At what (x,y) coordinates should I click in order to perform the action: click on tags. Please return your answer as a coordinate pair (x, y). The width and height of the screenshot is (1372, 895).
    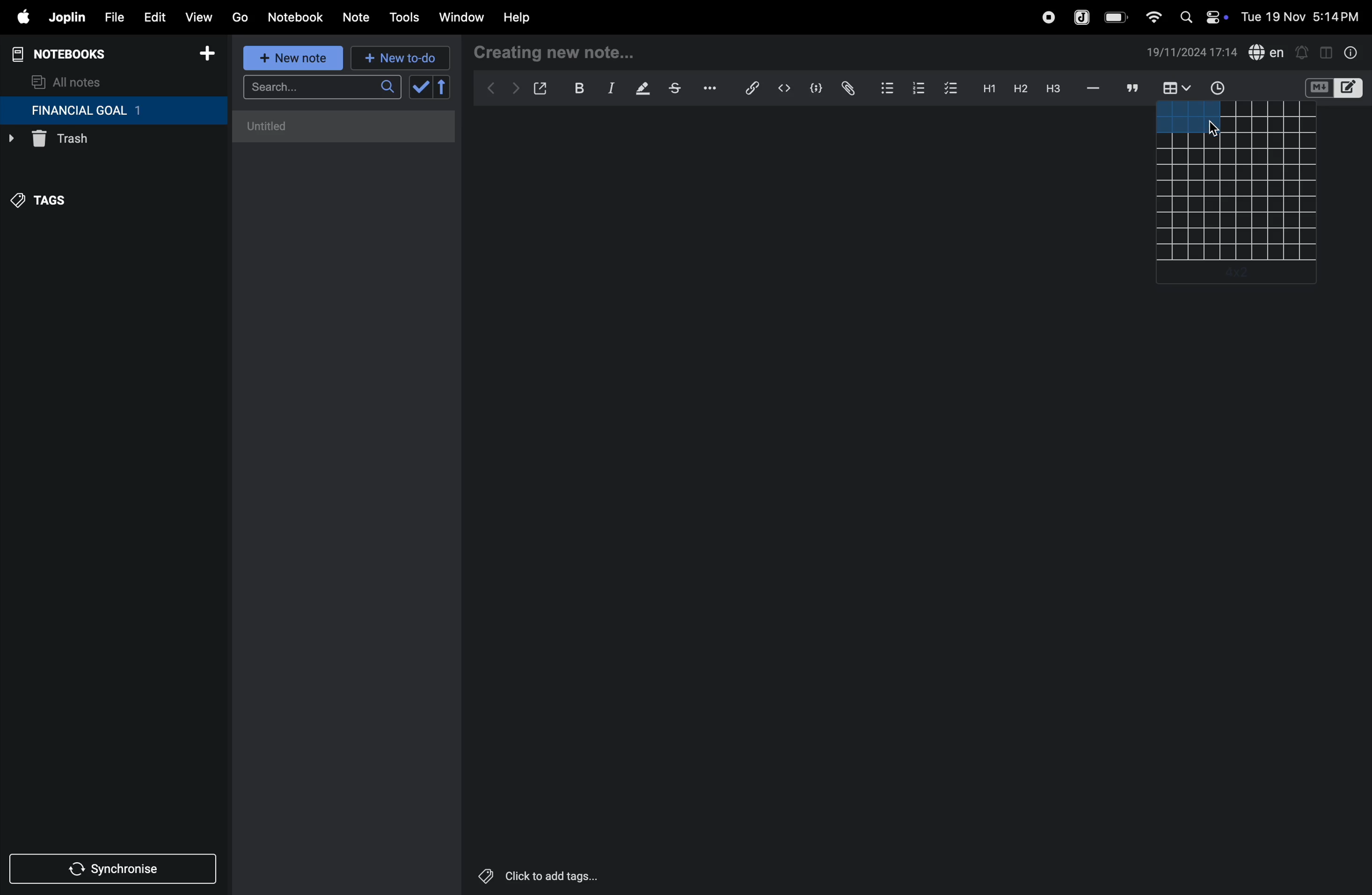
    Looking at the image, I should click on (47, 206).